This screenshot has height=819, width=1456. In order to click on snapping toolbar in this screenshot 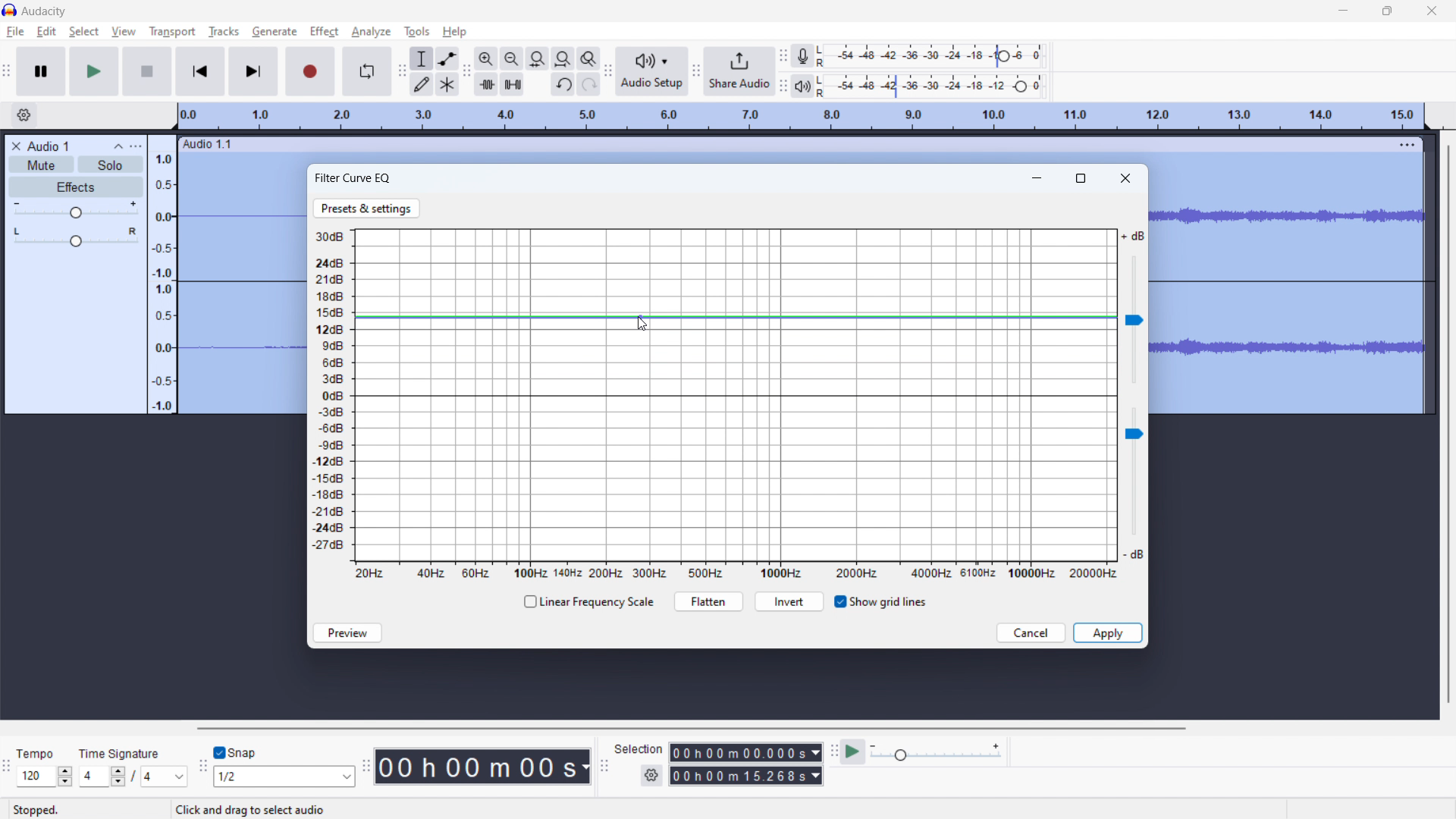, I will do `click(202, 765)`.